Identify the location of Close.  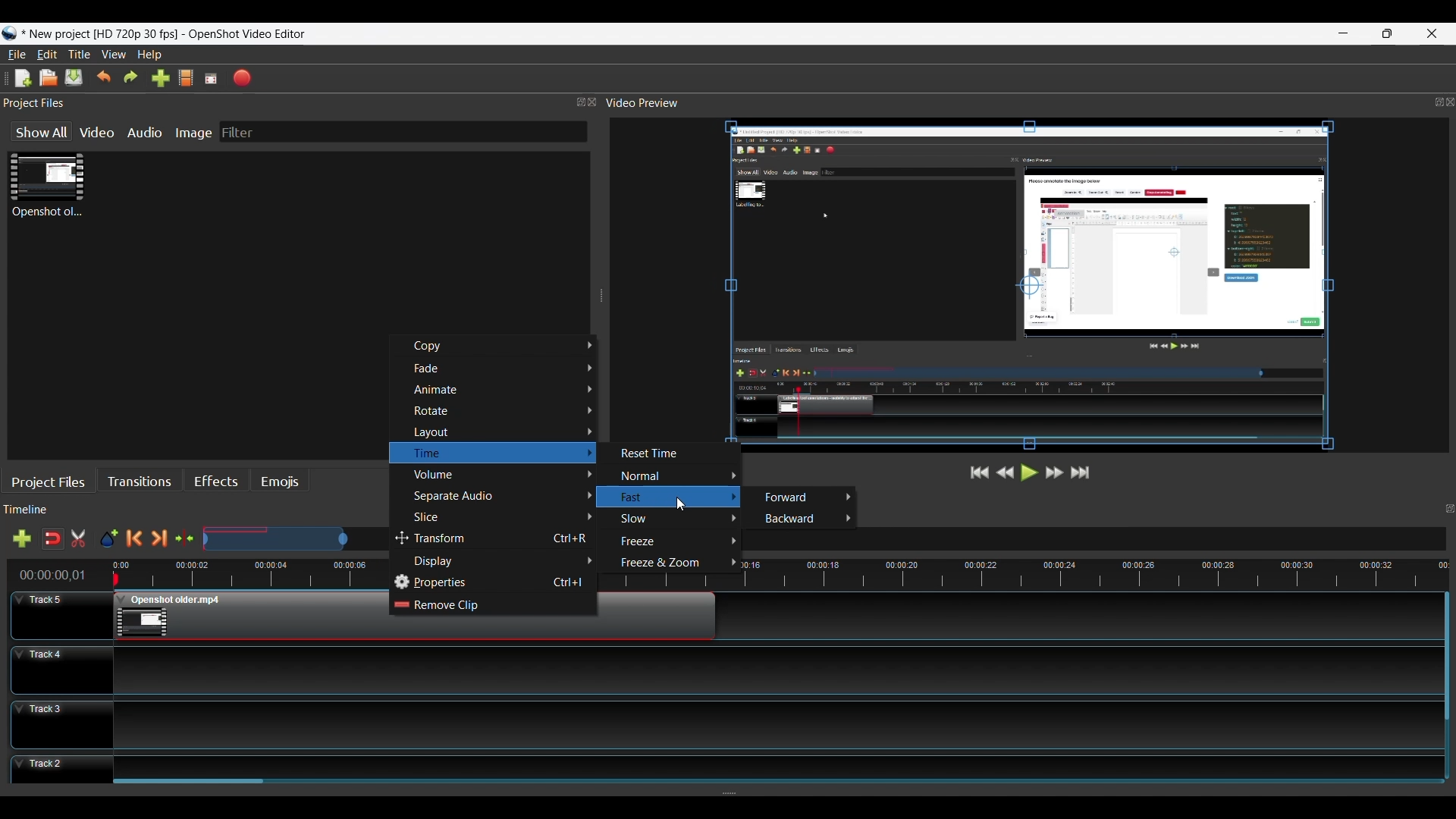
(1432, 33).